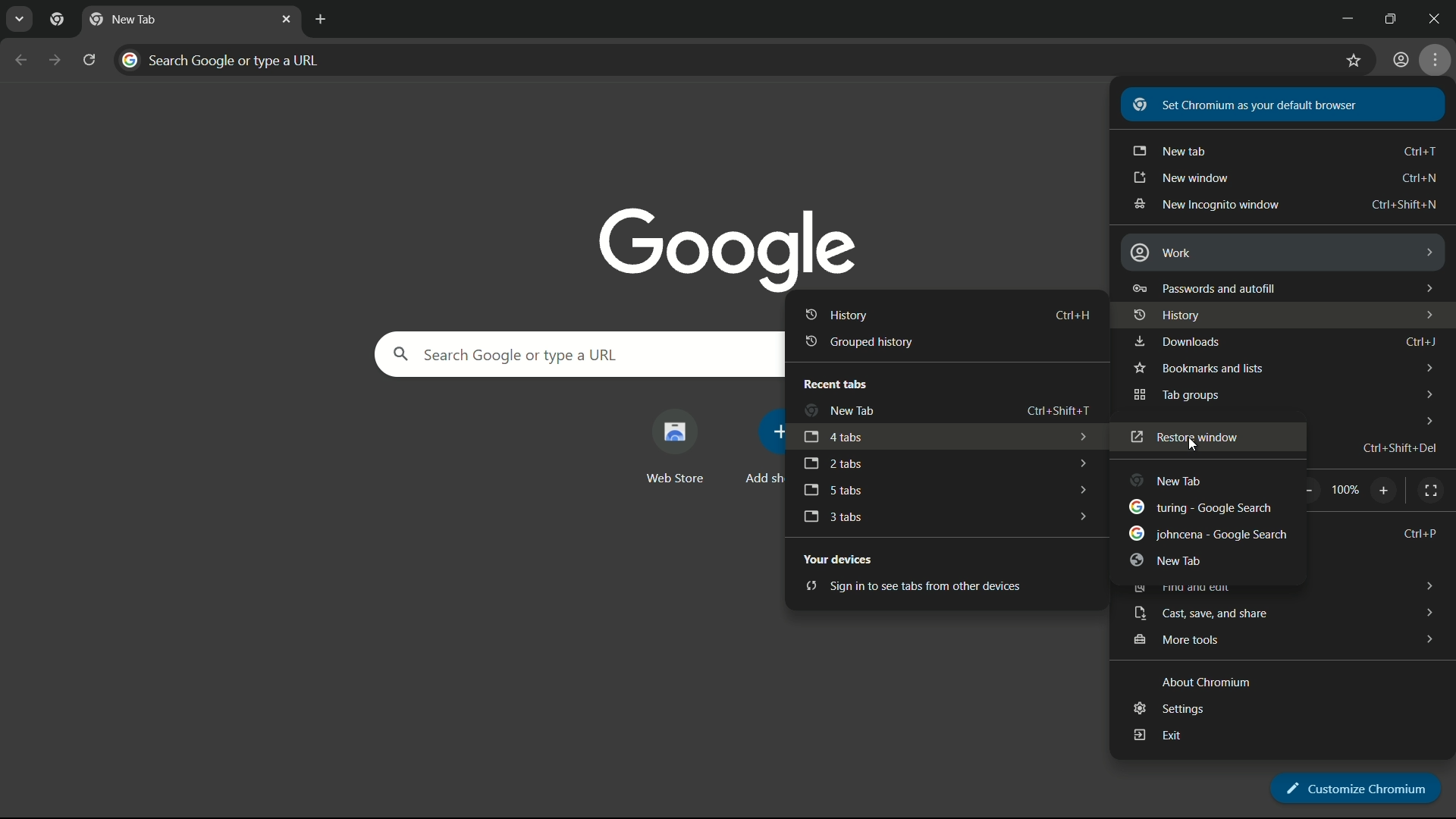 The image size is (1456, 819). Describe the element at coordinates (1395, 17) in the screenshot. I see `maximize or restore` at that location.